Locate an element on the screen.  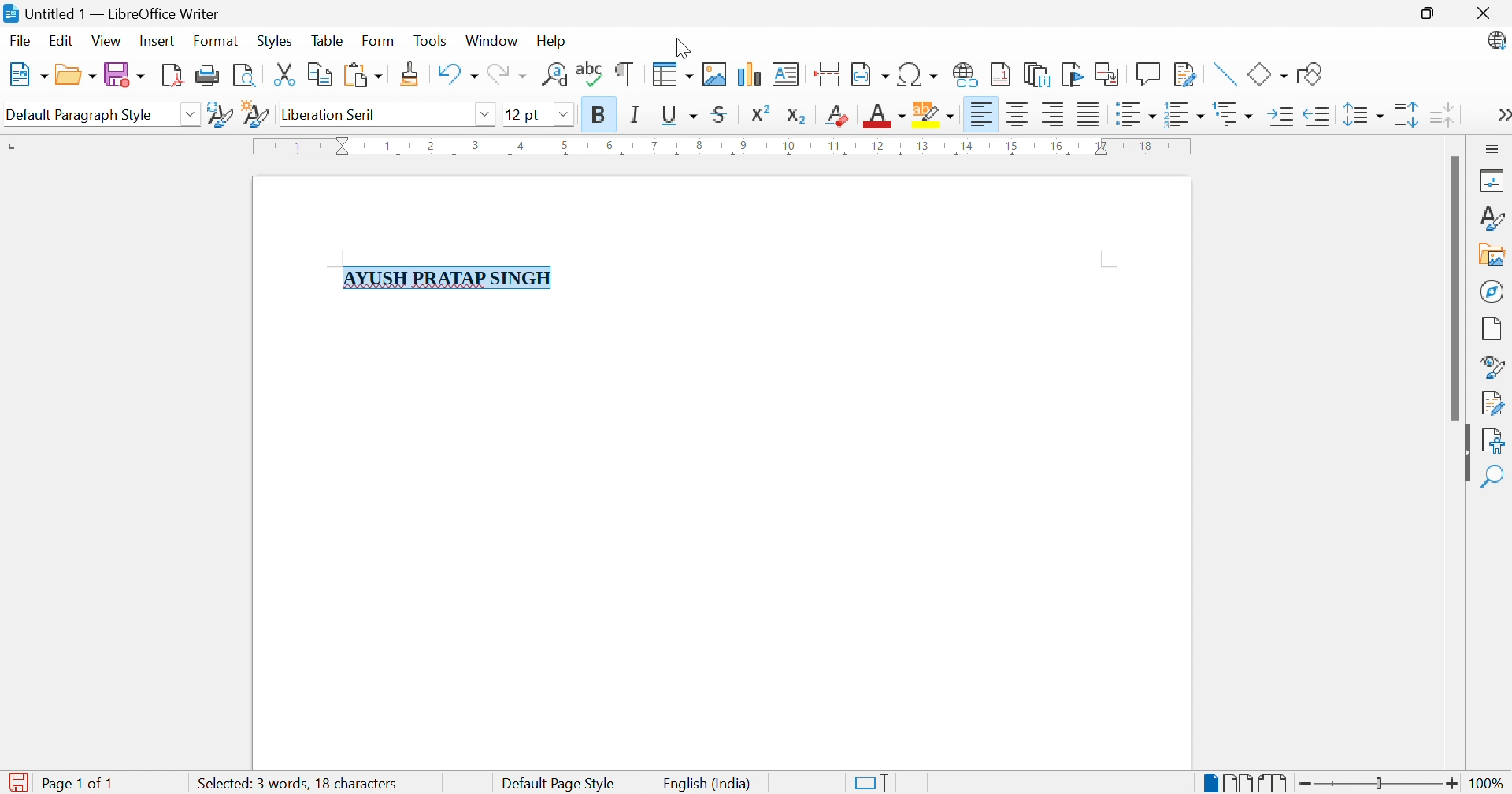
New is located at coordinates (26, 74).